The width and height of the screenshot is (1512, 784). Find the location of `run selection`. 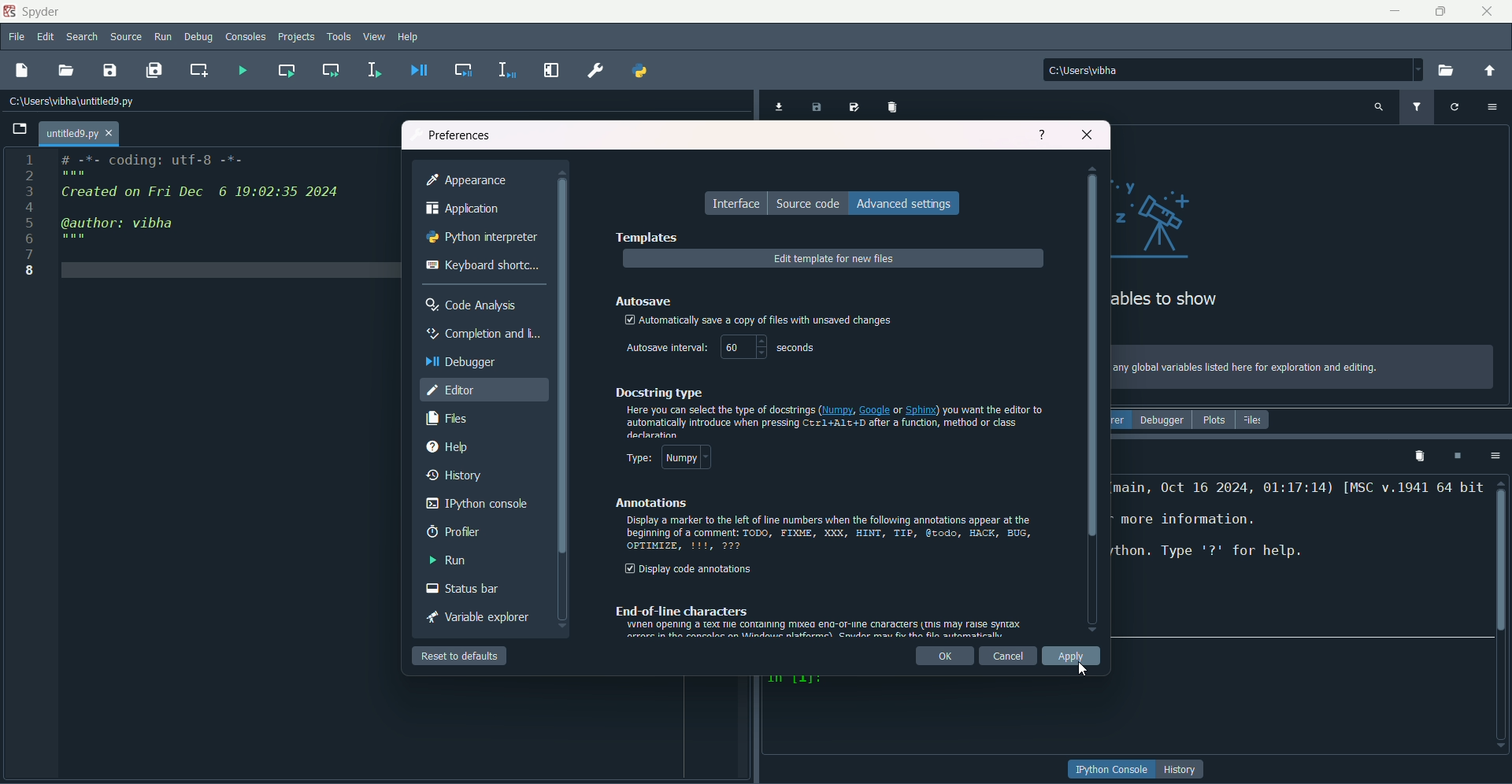

run selection is located at coordinates (374, 70).